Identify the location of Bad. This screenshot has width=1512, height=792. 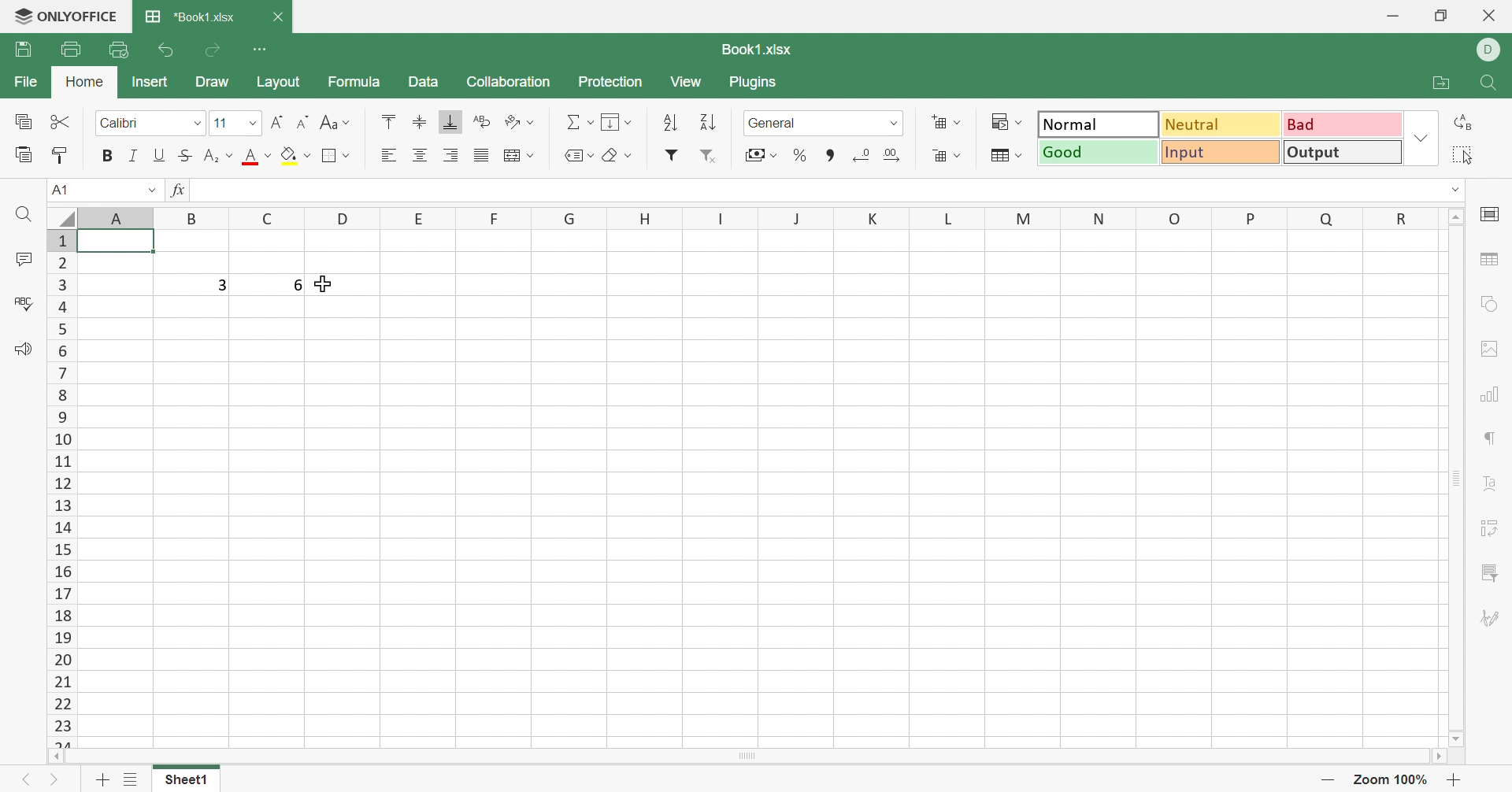
(1343, 128).